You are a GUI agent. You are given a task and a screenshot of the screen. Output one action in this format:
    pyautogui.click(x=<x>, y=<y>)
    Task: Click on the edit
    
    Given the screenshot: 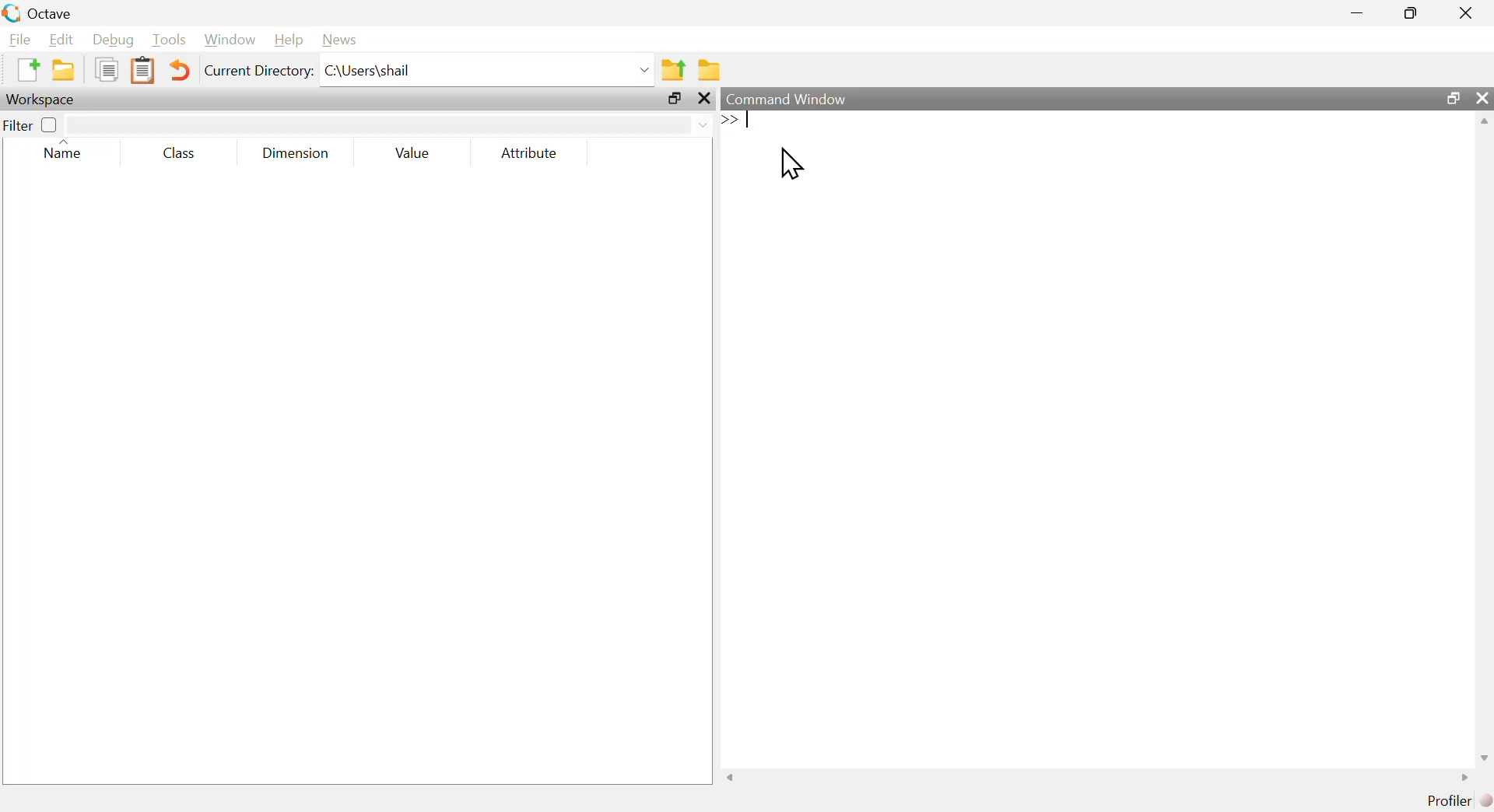 What is the action you would take?
    pyautogui.click(x=62, y=40)
    